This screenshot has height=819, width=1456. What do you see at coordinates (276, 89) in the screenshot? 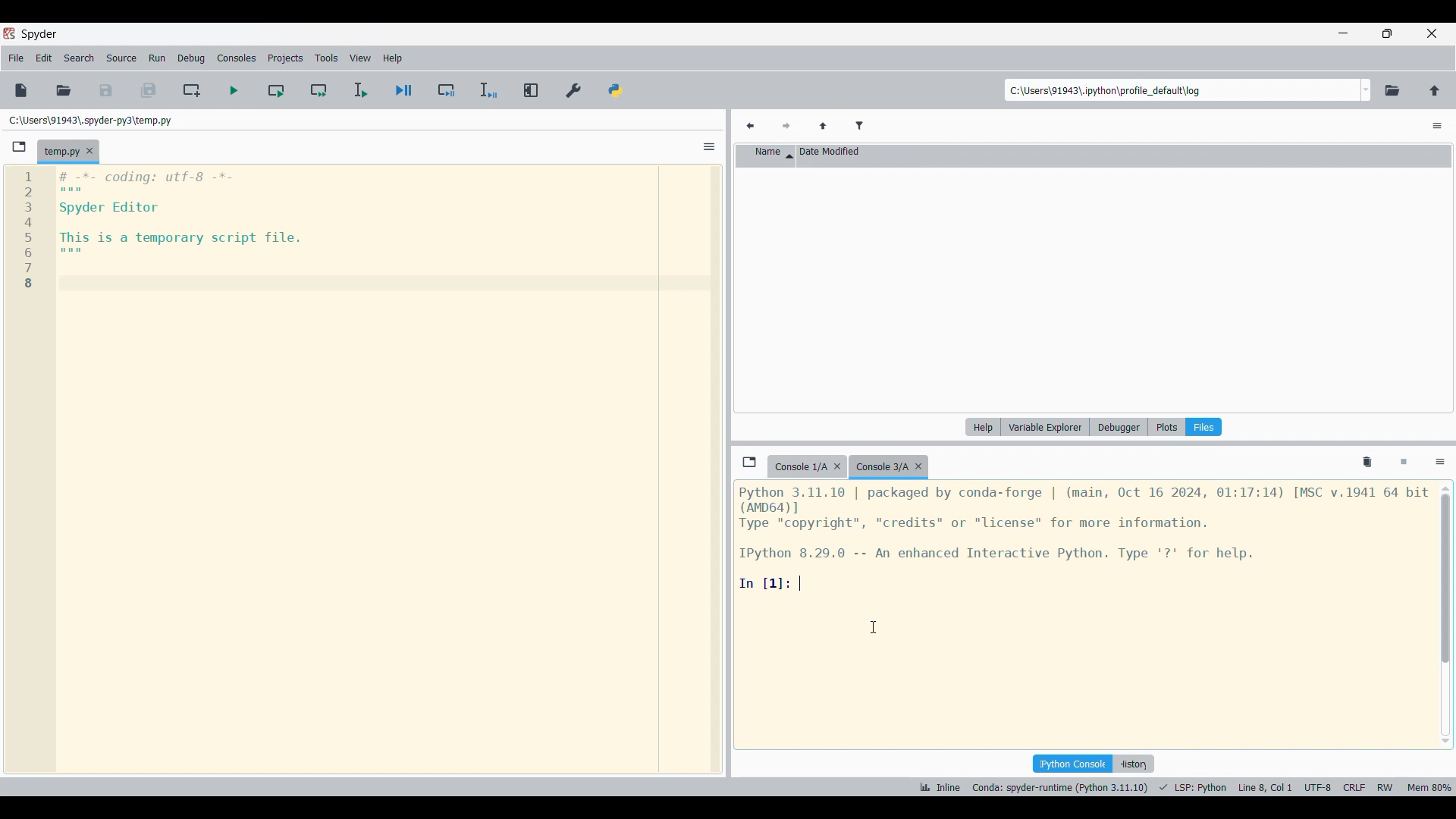
I see `Run current cell` at bounding box center [276, 89].